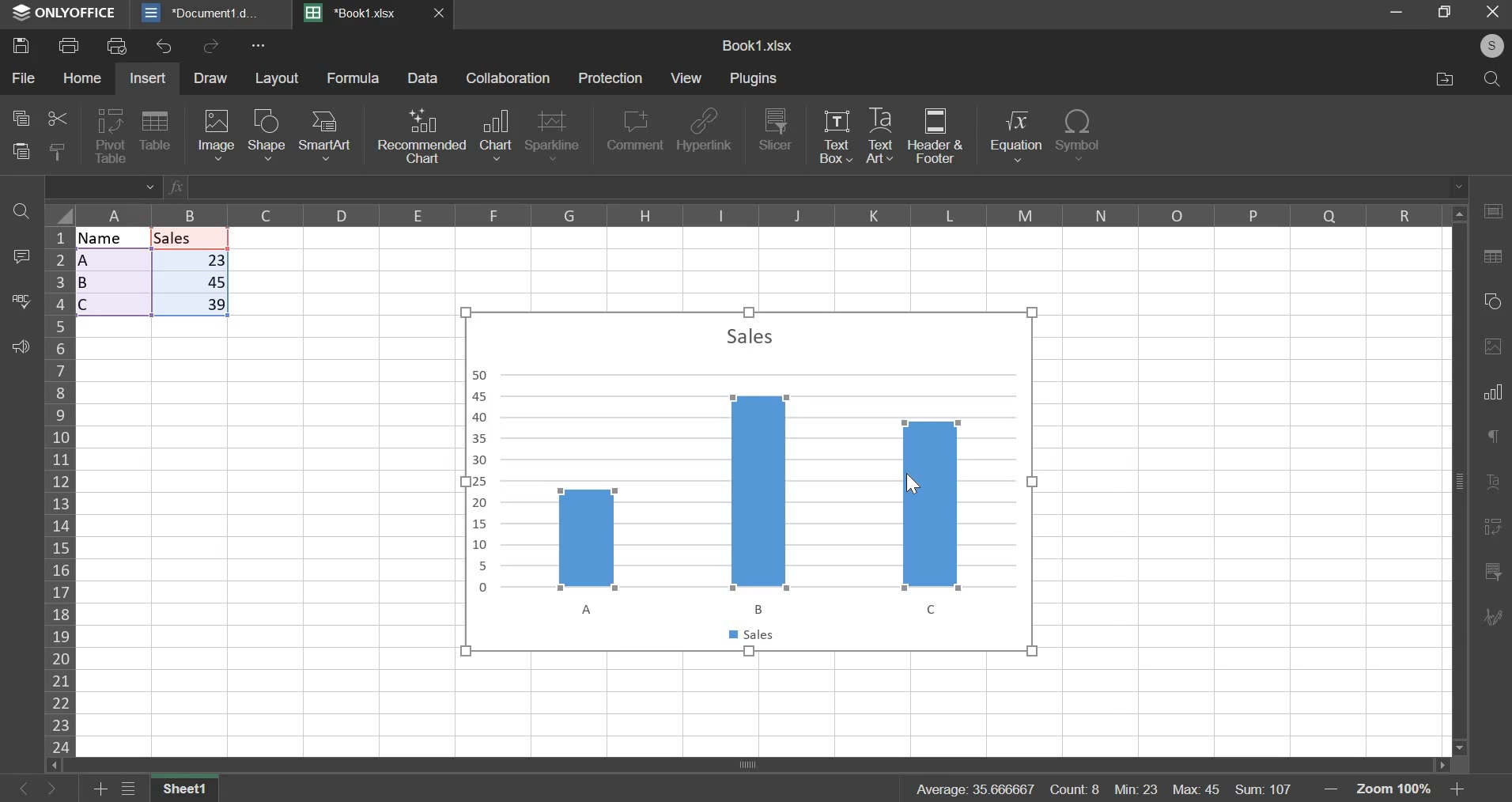 The width and height of the screenshot is (1512, 802). Describe the element at coordinates (1393, 788) in the screenshot. I see `zoom` at that location.